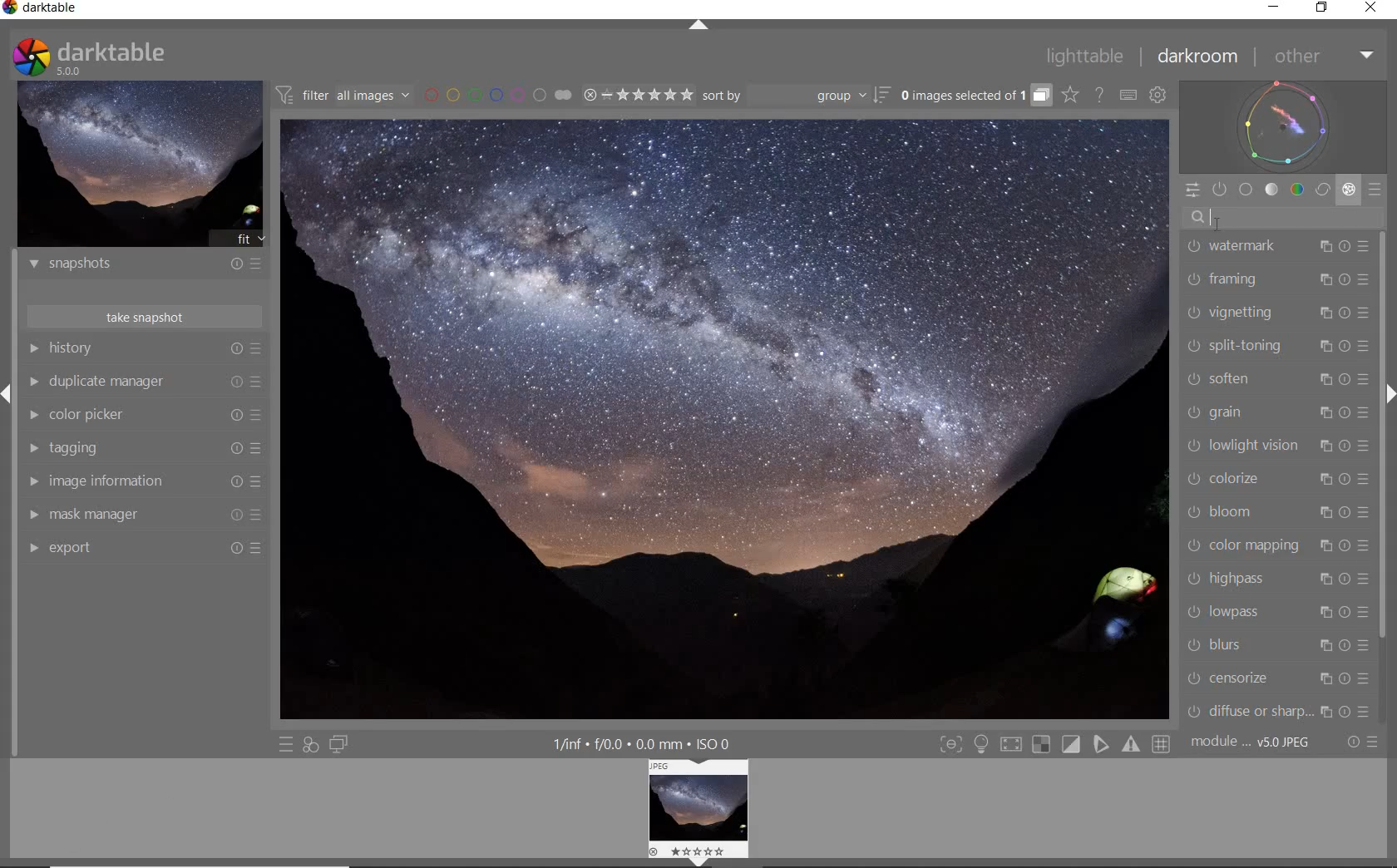 Image resolution: width=1397 pixels, height=868 pixels. What do you see at coordinates (1364, 579) in the screenshot?
I see `presets` at bounding box center [1364, 579].